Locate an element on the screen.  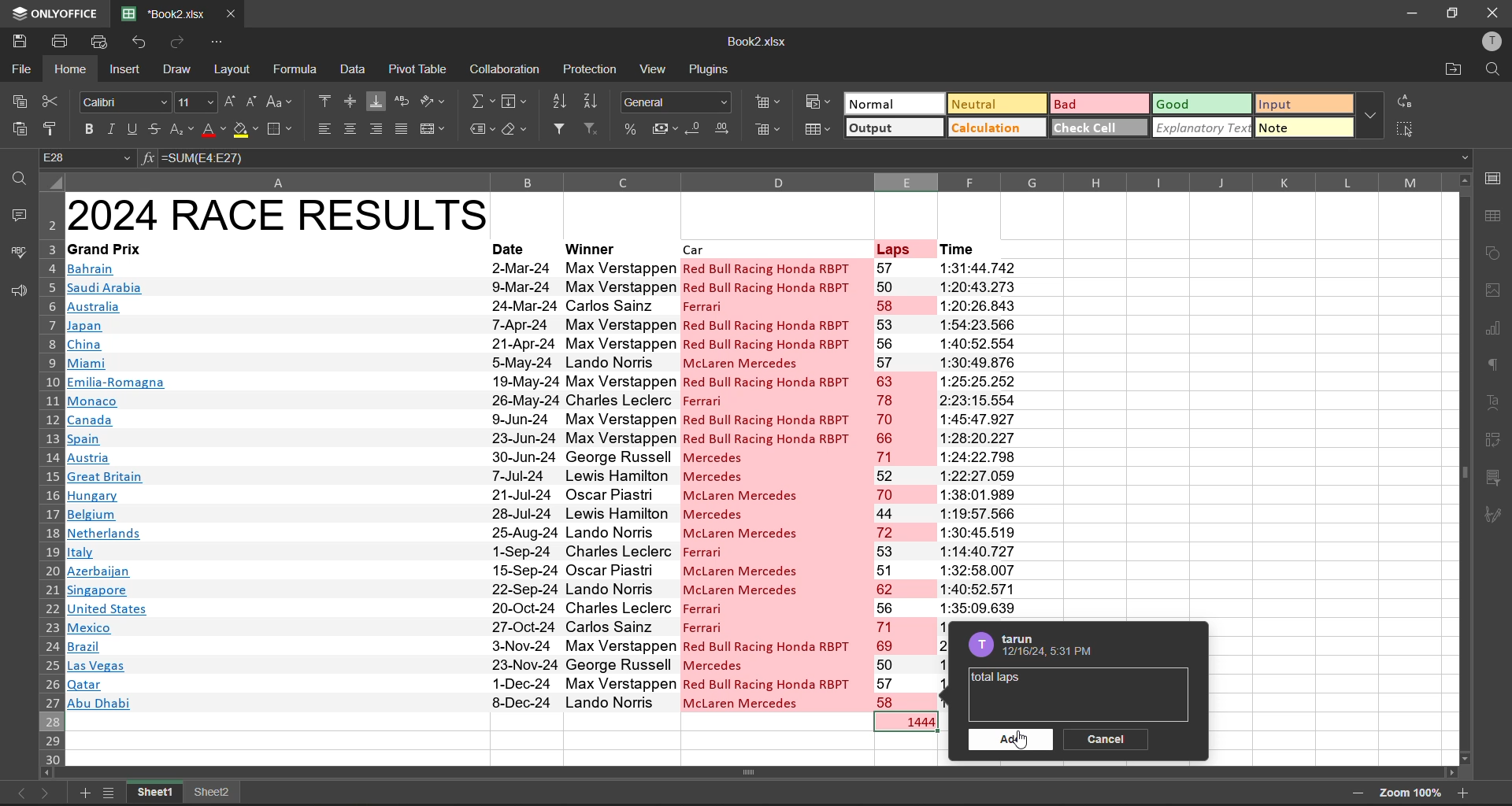
cell address is located at coordinates (86, 157).